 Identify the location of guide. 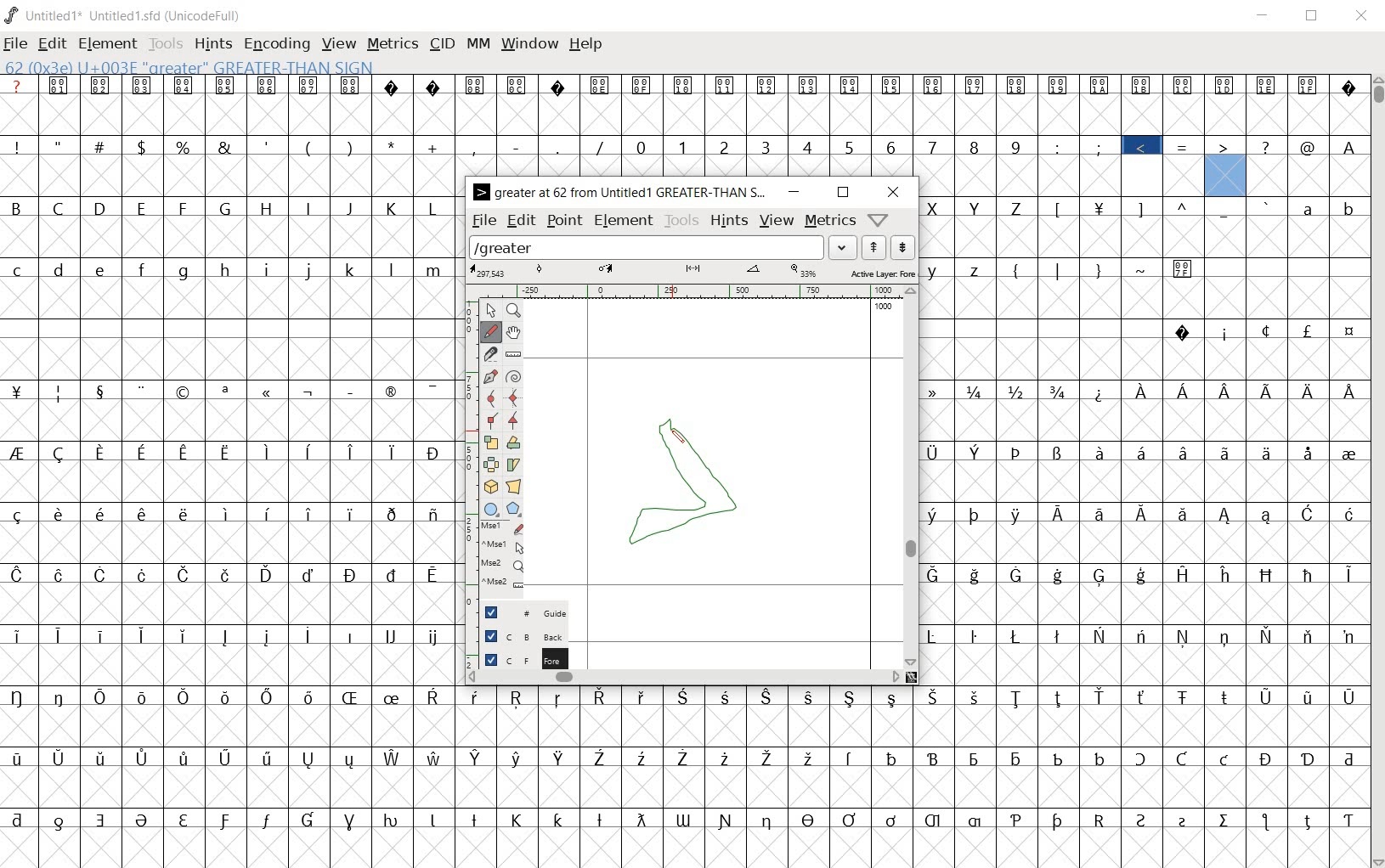
(517, 611).